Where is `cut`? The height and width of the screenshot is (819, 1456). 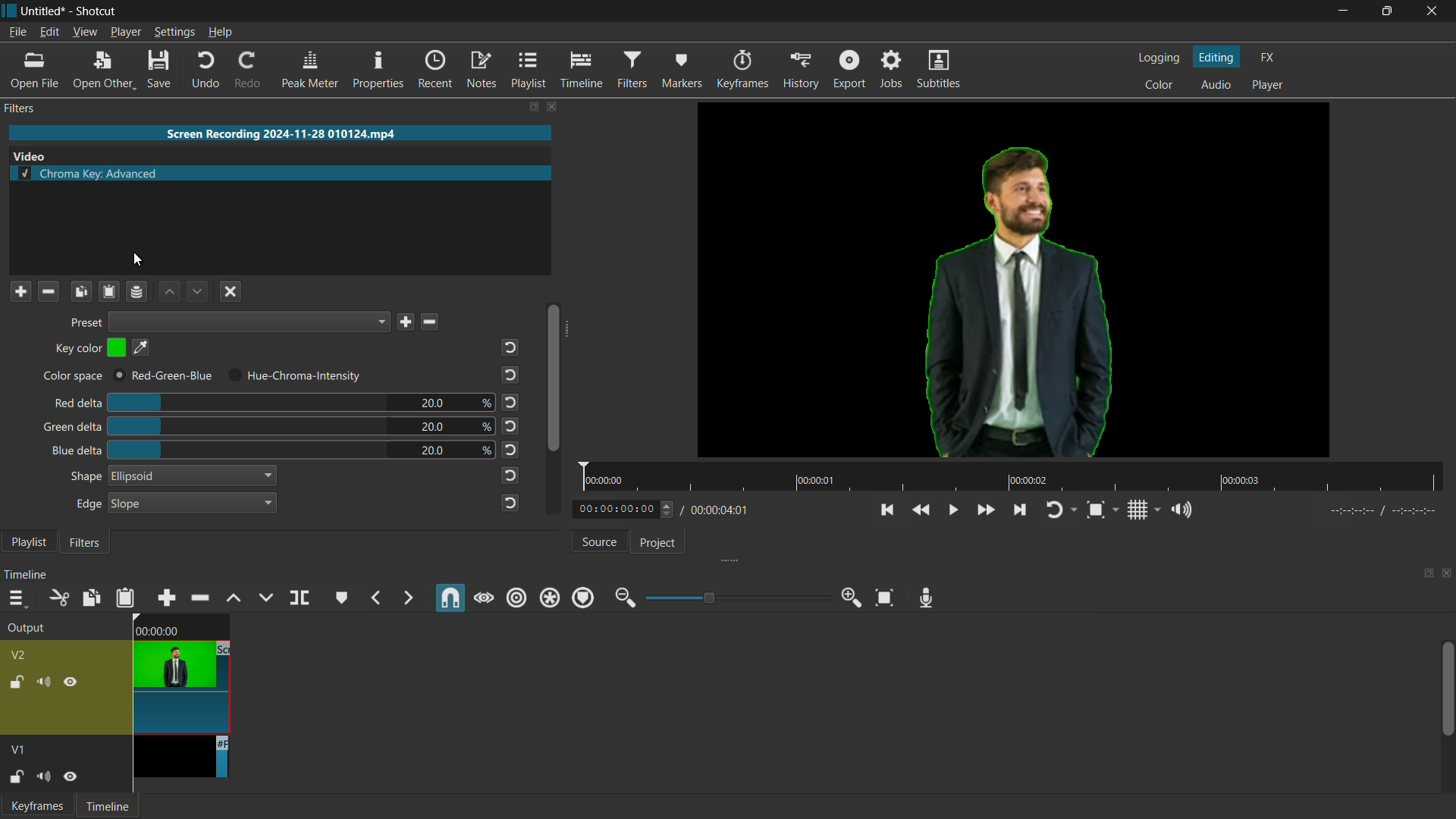 cut is located at coordinates (57, 597).